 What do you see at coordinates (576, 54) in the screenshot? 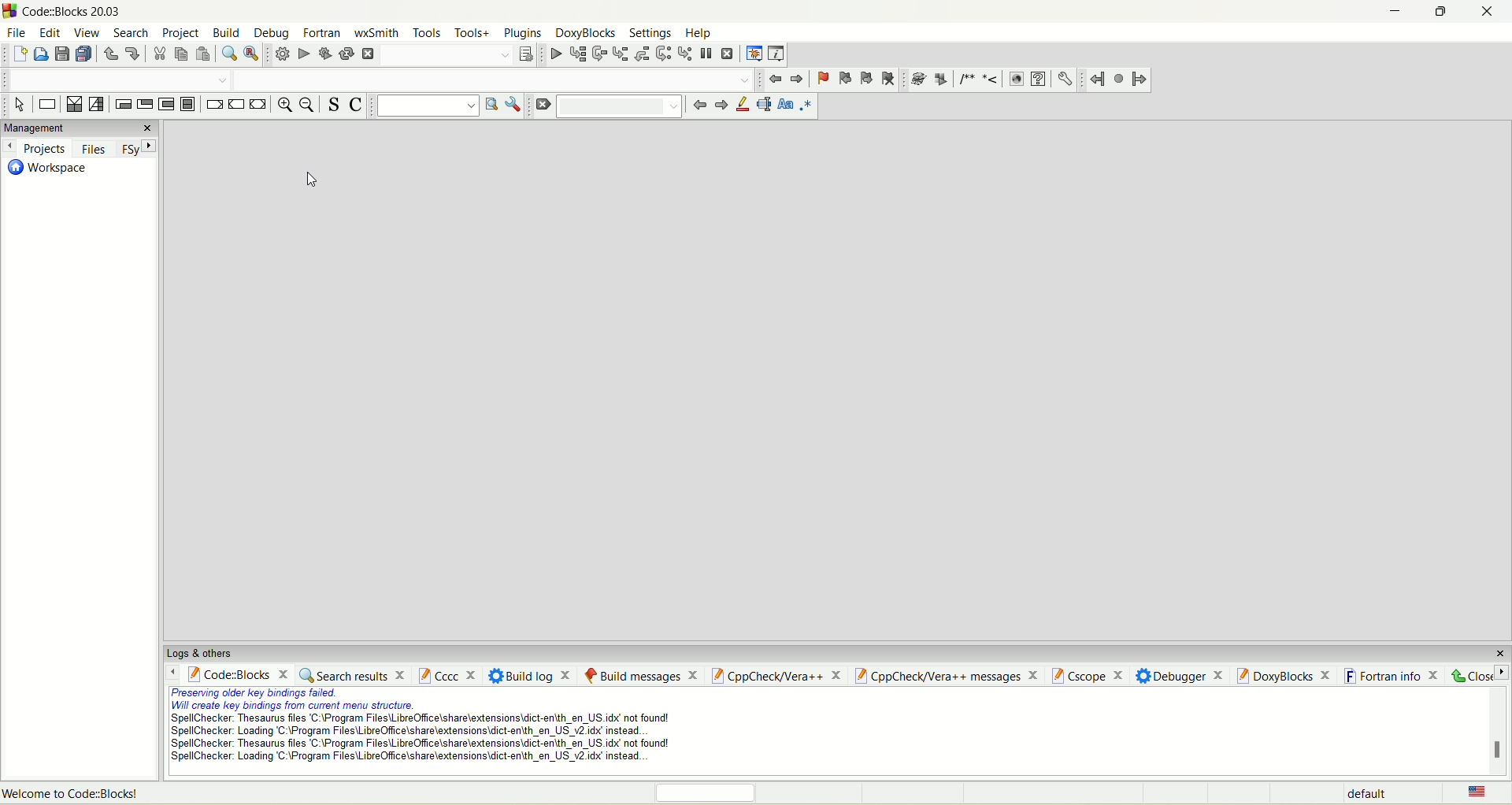
I see `run to cursor` at bounding box center [576, 54].